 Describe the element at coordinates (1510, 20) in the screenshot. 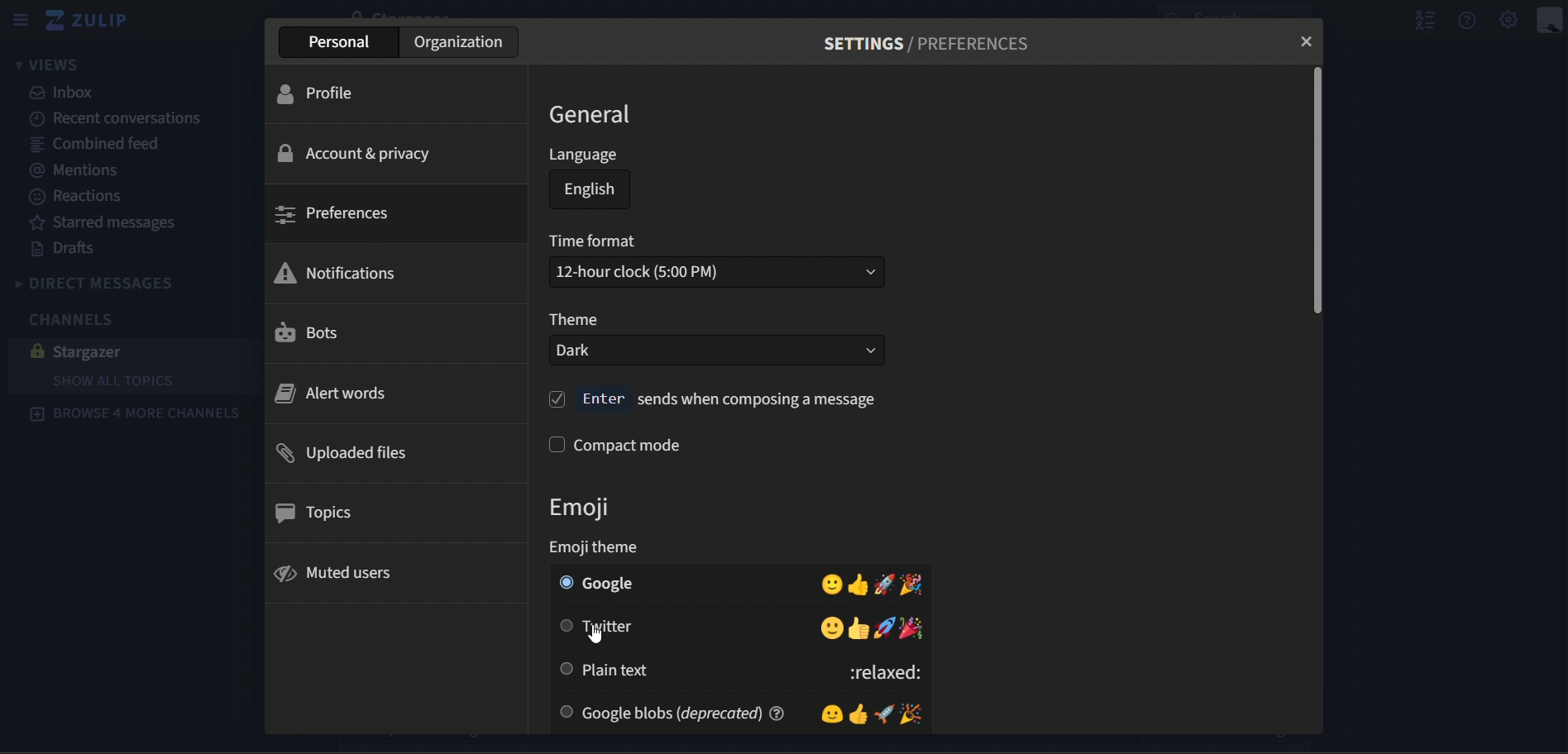

I see `main menu` at that location.